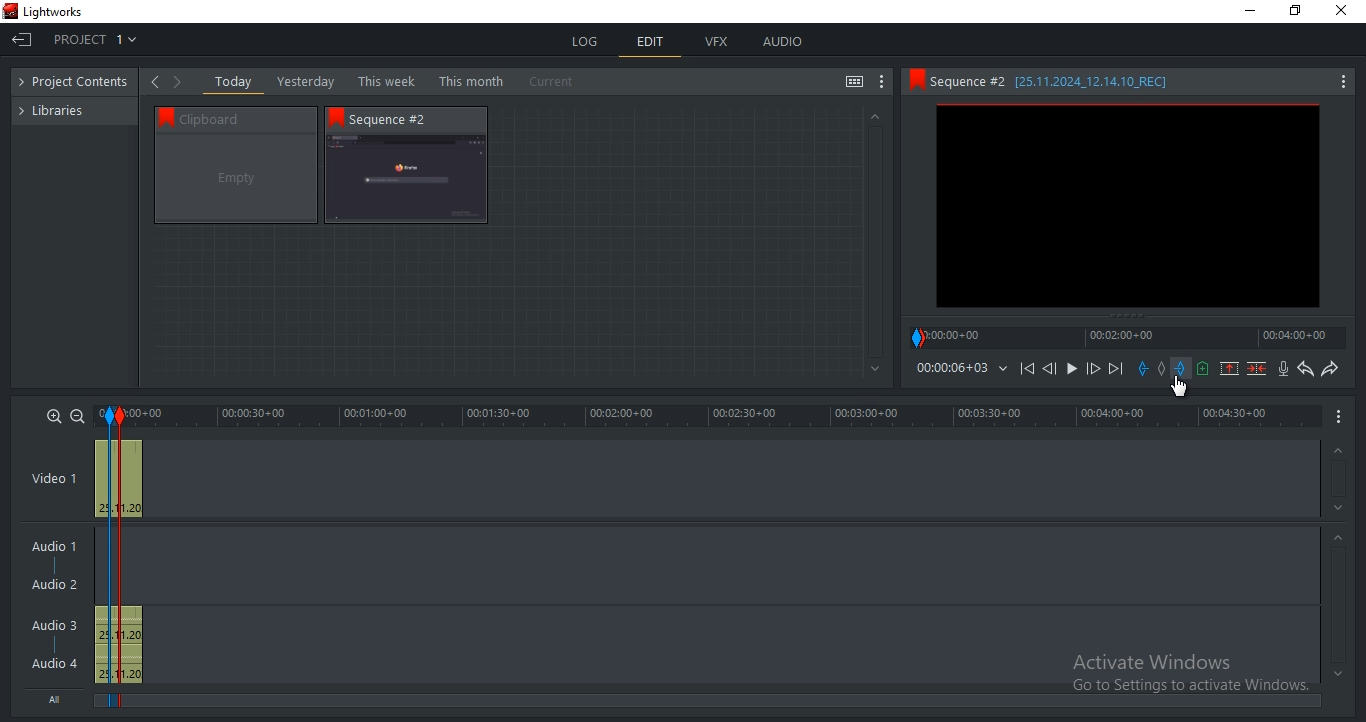 The image size is (1366, 722). I want to click on sequence 2, so click(406, 180).